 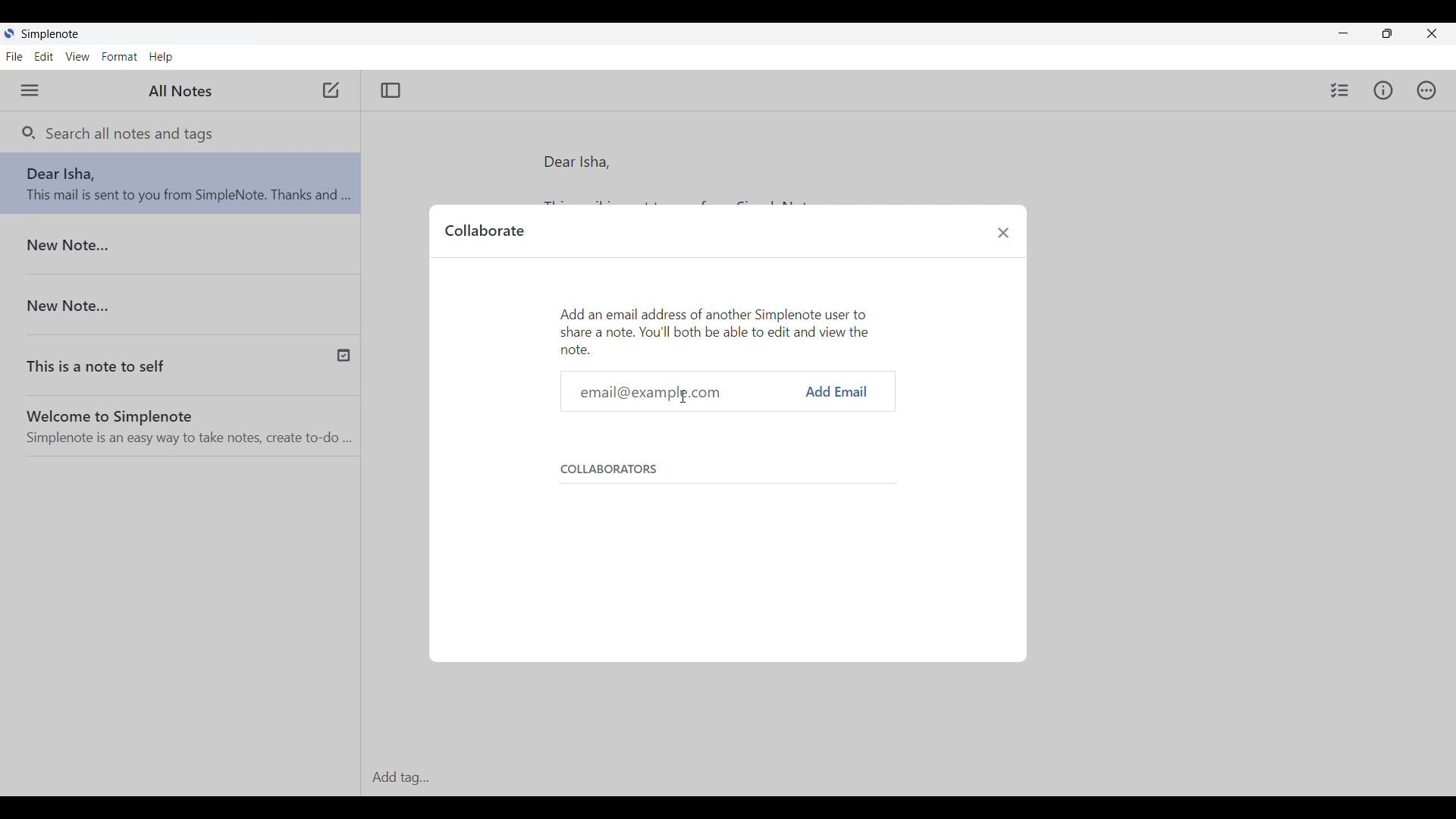 What do you see at coordinates (905, 778) in the screenshot?
I see `Add tag` at bounding box center [905, 778].